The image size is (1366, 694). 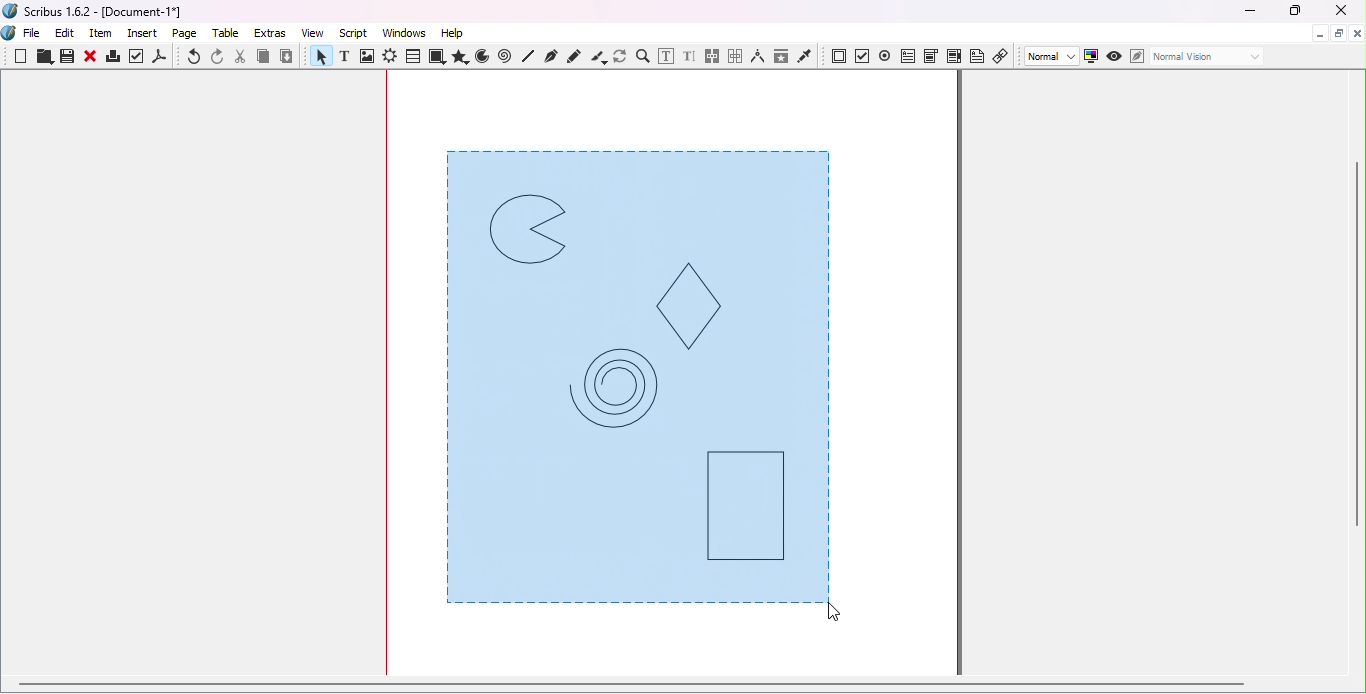 What do you see at coordinates (10, 34) in the screenshot?
I see `Logo` at bounding box center [10, 34].